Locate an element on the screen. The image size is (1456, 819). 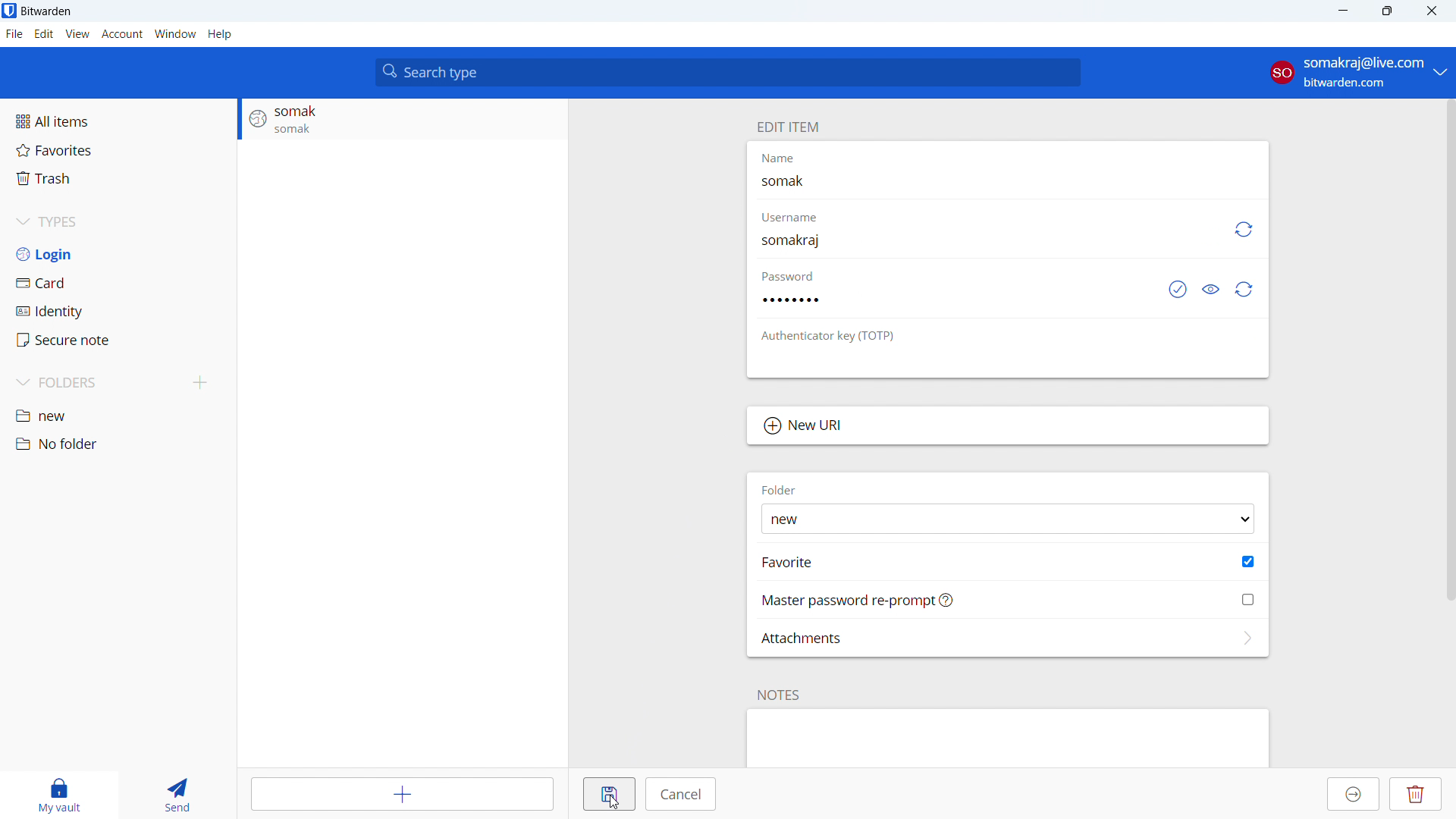
no folder is located at coordinates (118, 444).